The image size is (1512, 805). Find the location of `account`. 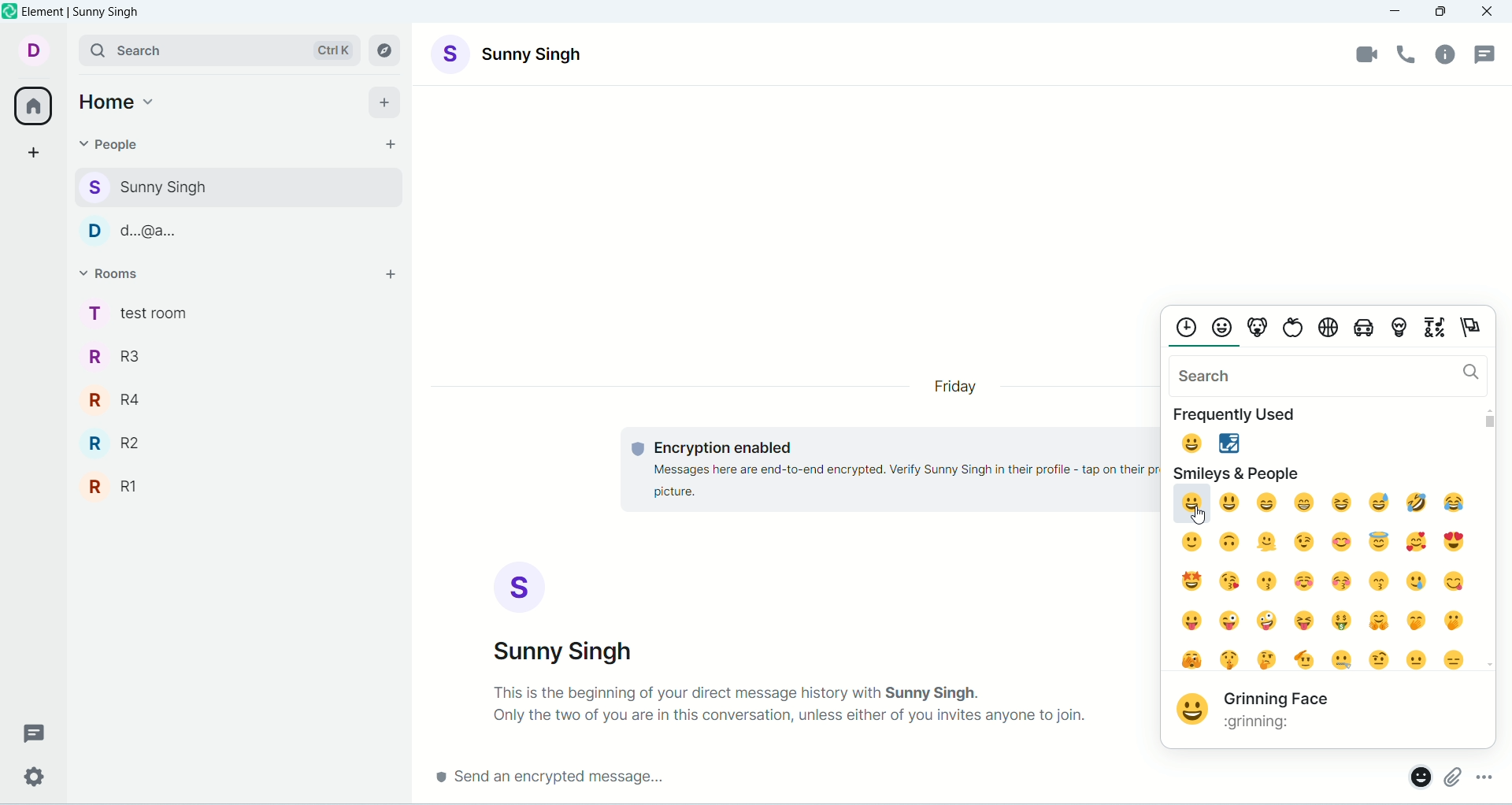

account is located at coordinates (35, 50).